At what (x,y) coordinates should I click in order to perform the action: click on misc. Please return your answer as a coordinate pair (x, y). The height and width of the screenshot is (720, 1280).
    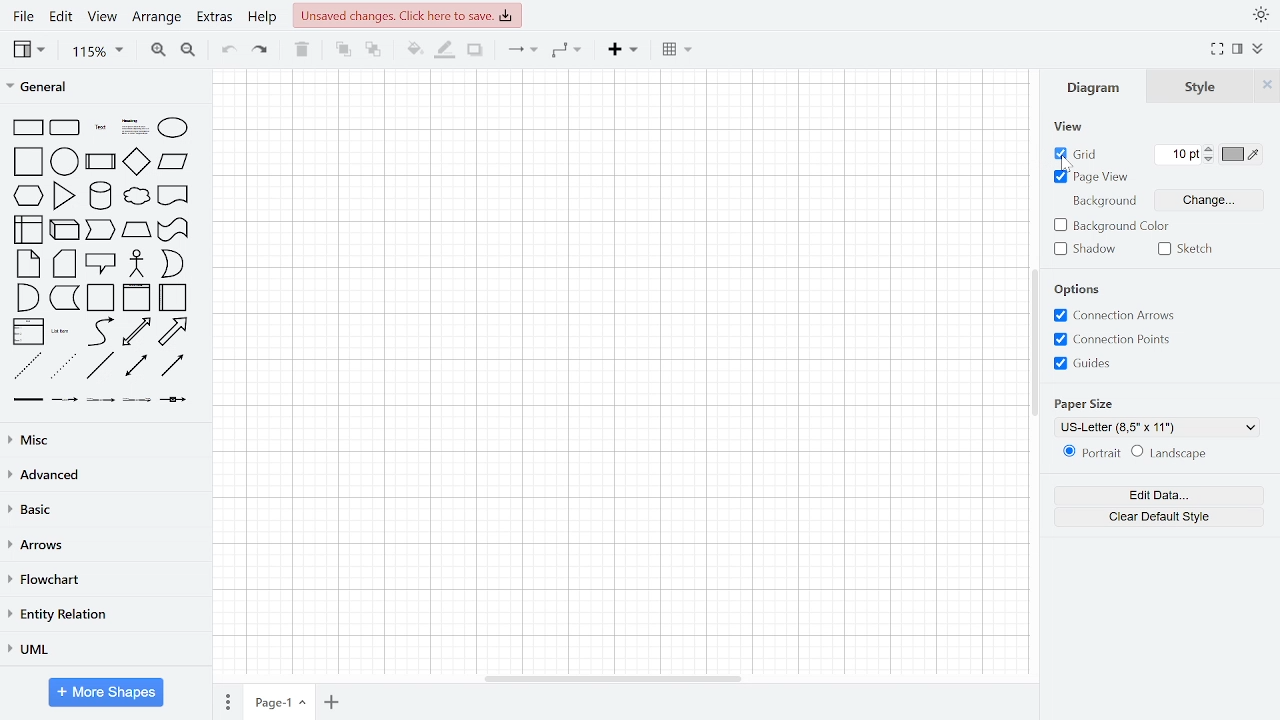
    Looking at the image, I should click on (102, 437).